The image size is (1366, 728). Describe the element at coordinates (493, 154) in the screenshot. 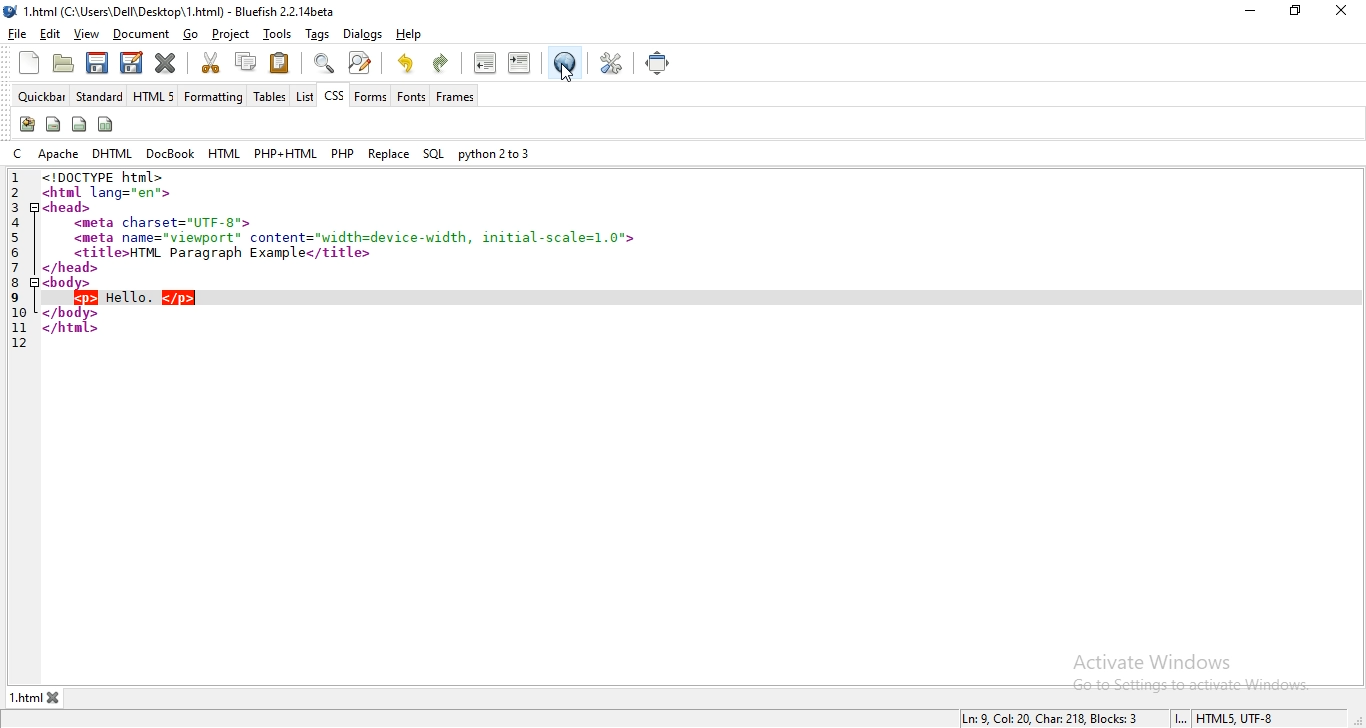

I see `python 2 to 3` at that location.